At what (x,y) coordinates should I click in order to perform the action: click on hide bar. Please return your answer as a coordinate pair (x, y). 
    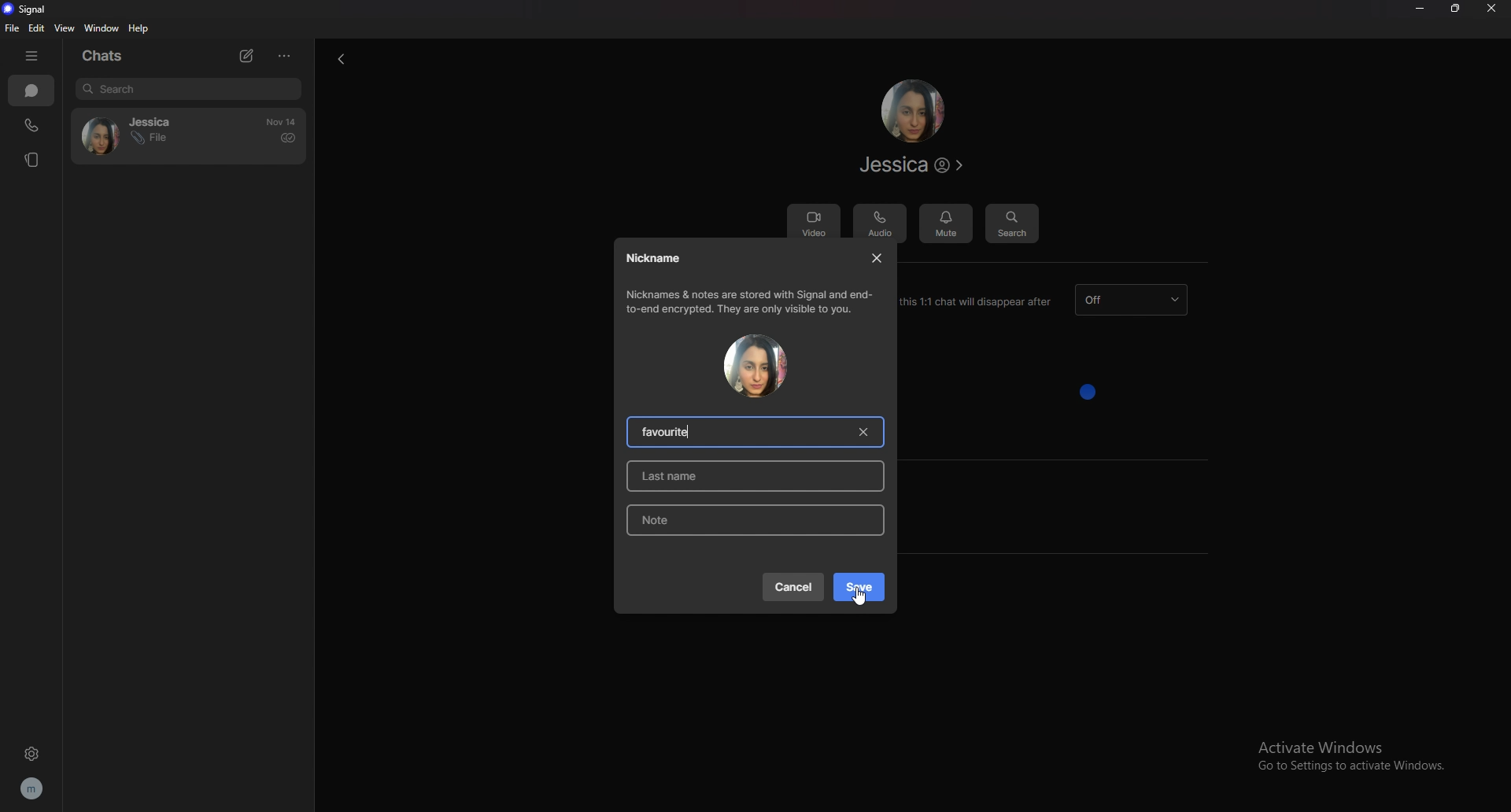
    Looking at the image, I should click on (35, 55).